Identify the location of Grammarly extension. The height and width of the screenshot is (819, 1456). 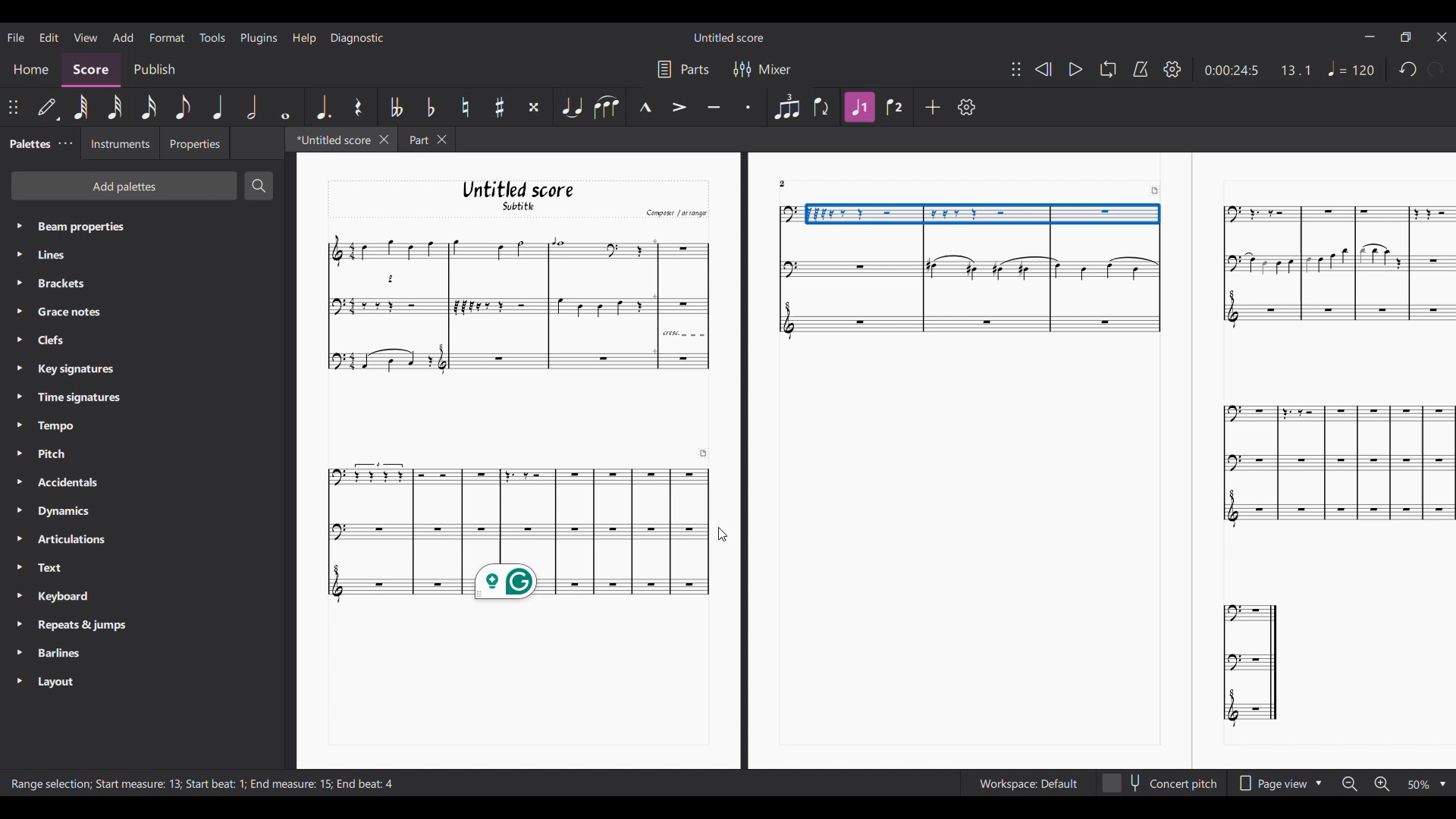
(506, 582).